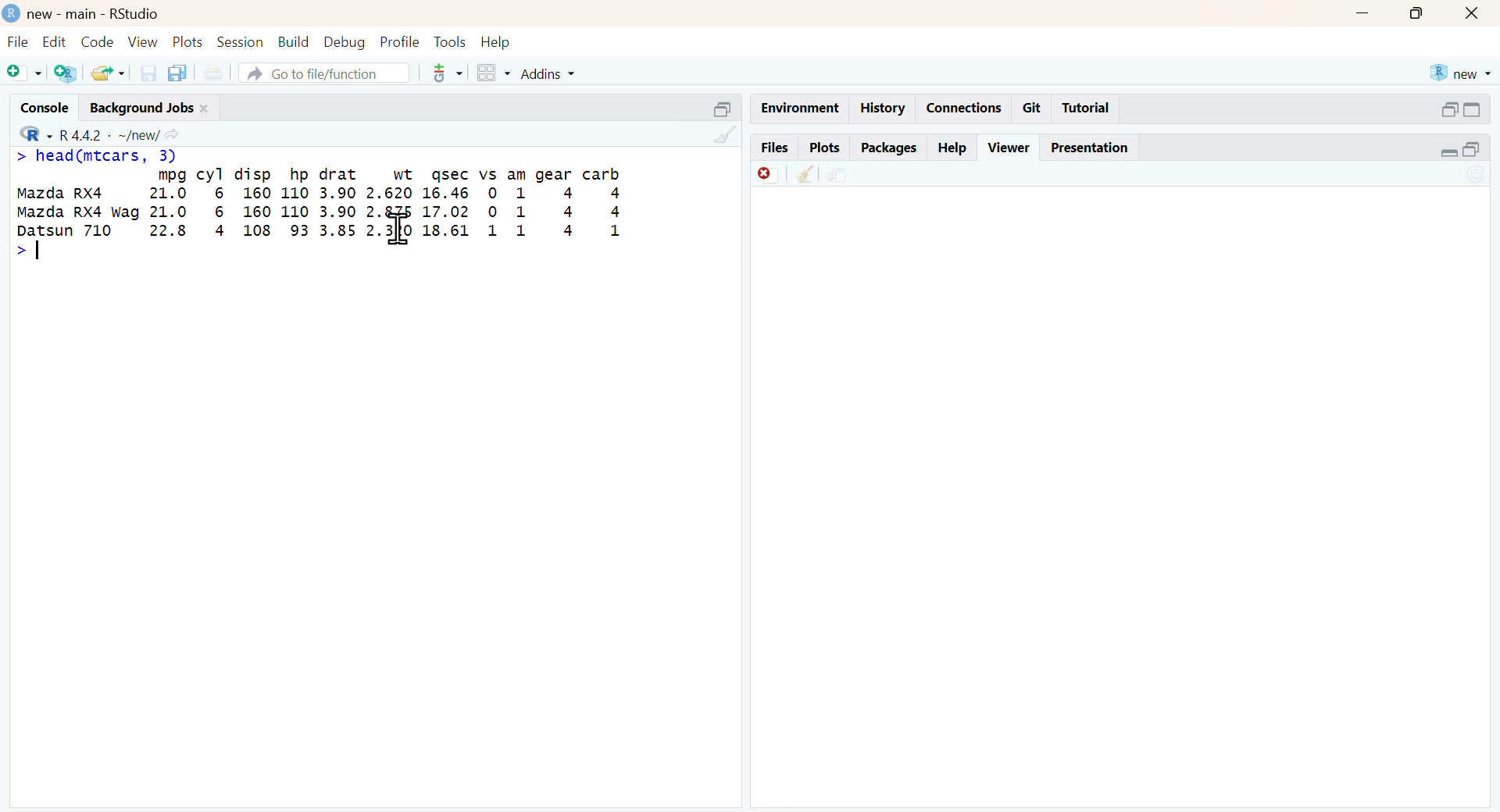 Image resolution: width=1500 pixels, height=812 pixels. Describe the element at coordinates (1463, 72) in the screenshot. I see `® new +` at that location.